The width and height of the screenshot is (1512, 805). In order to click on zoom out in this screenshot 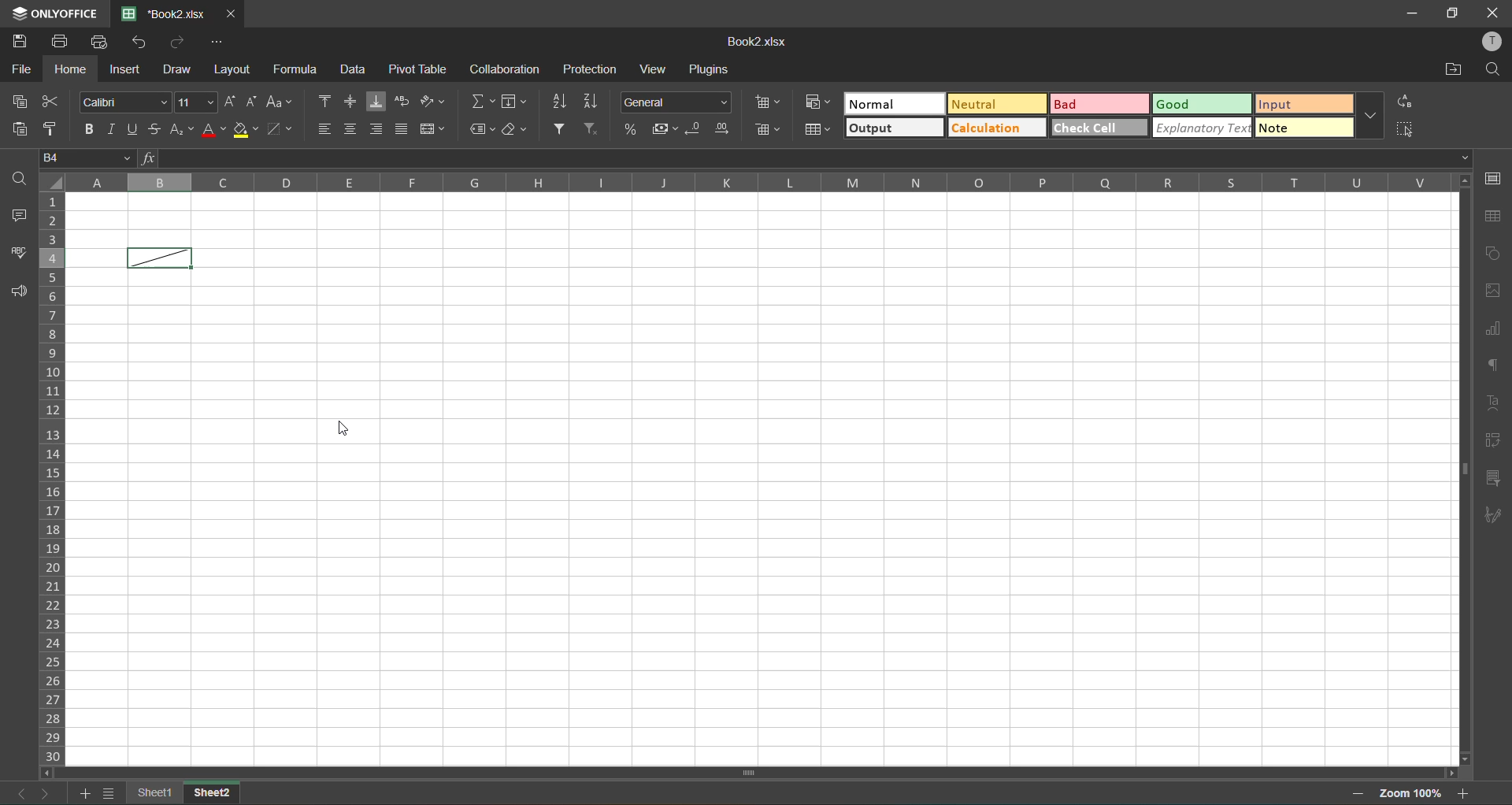, I will do `click(1364, 793)`.